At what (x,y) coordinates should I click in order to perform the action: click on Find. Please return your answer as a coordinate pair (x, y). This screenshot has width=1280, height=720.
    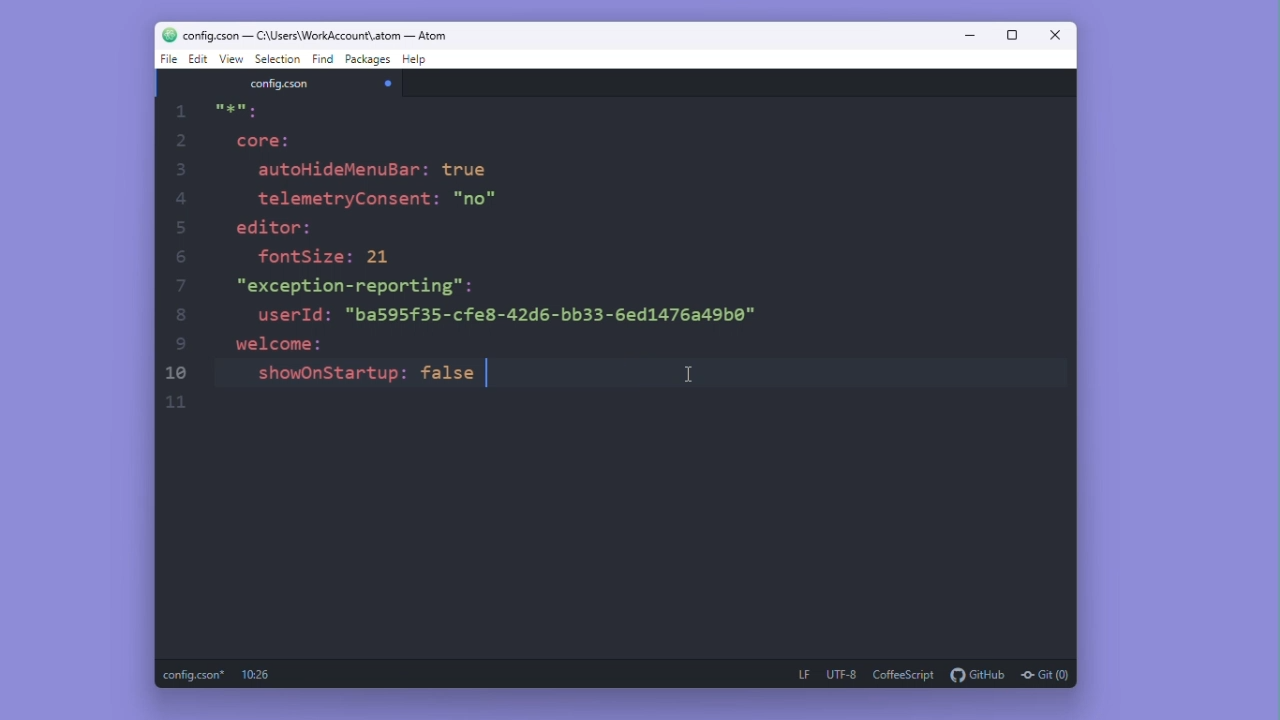
    Looking at the image, I should click on (323, 60).